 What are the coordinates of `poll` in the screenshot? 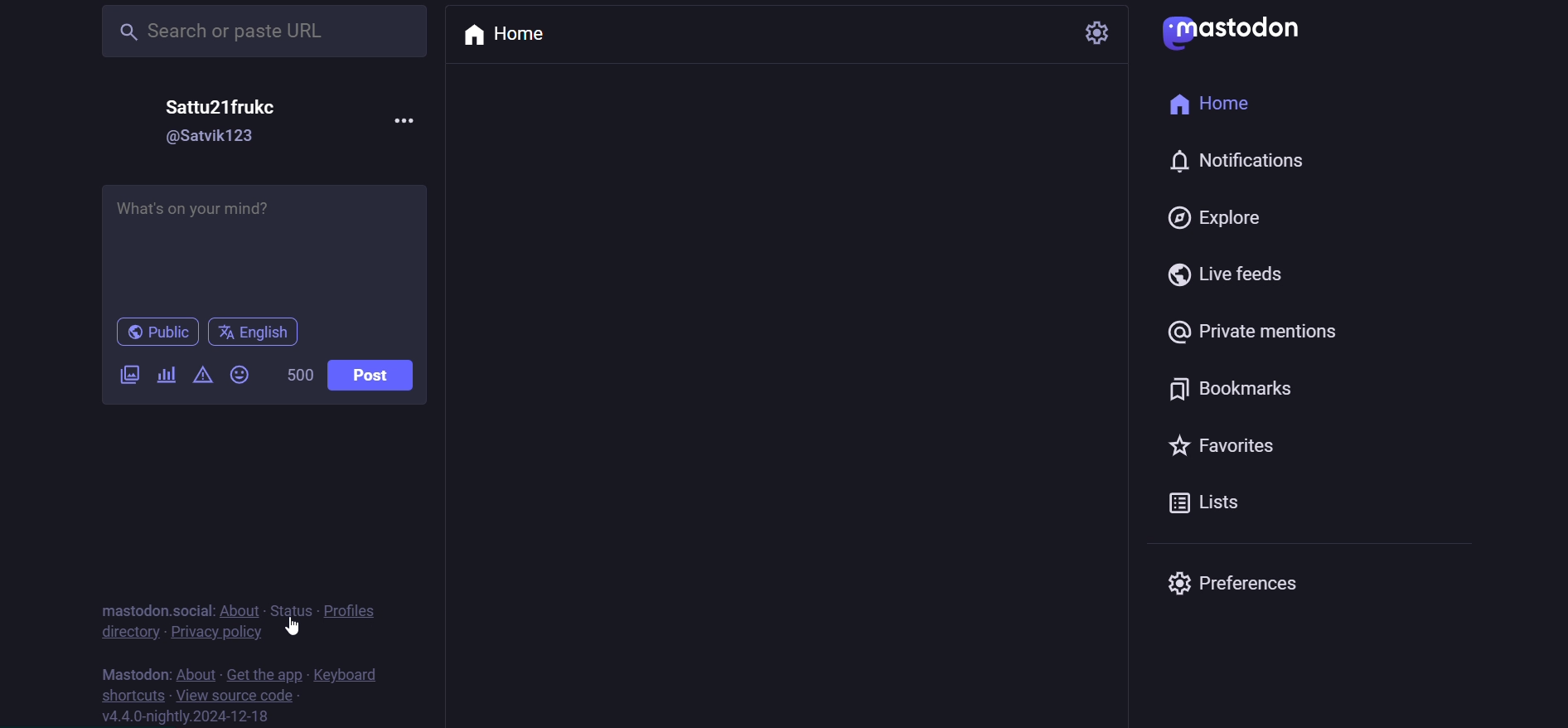 It's located at (165, 376).